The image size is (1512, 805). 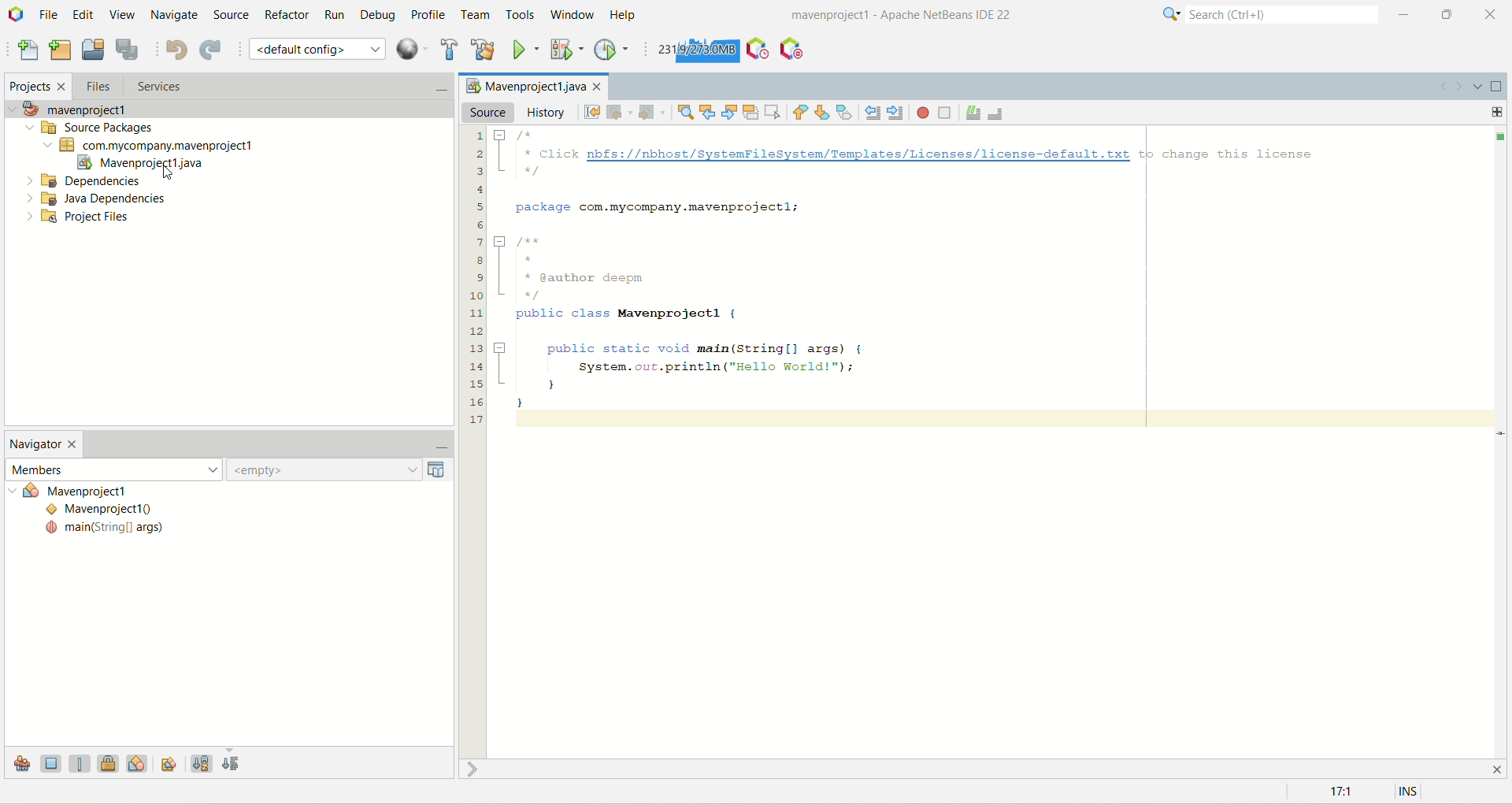 I want to click on forward, so click(x=649, y=113).